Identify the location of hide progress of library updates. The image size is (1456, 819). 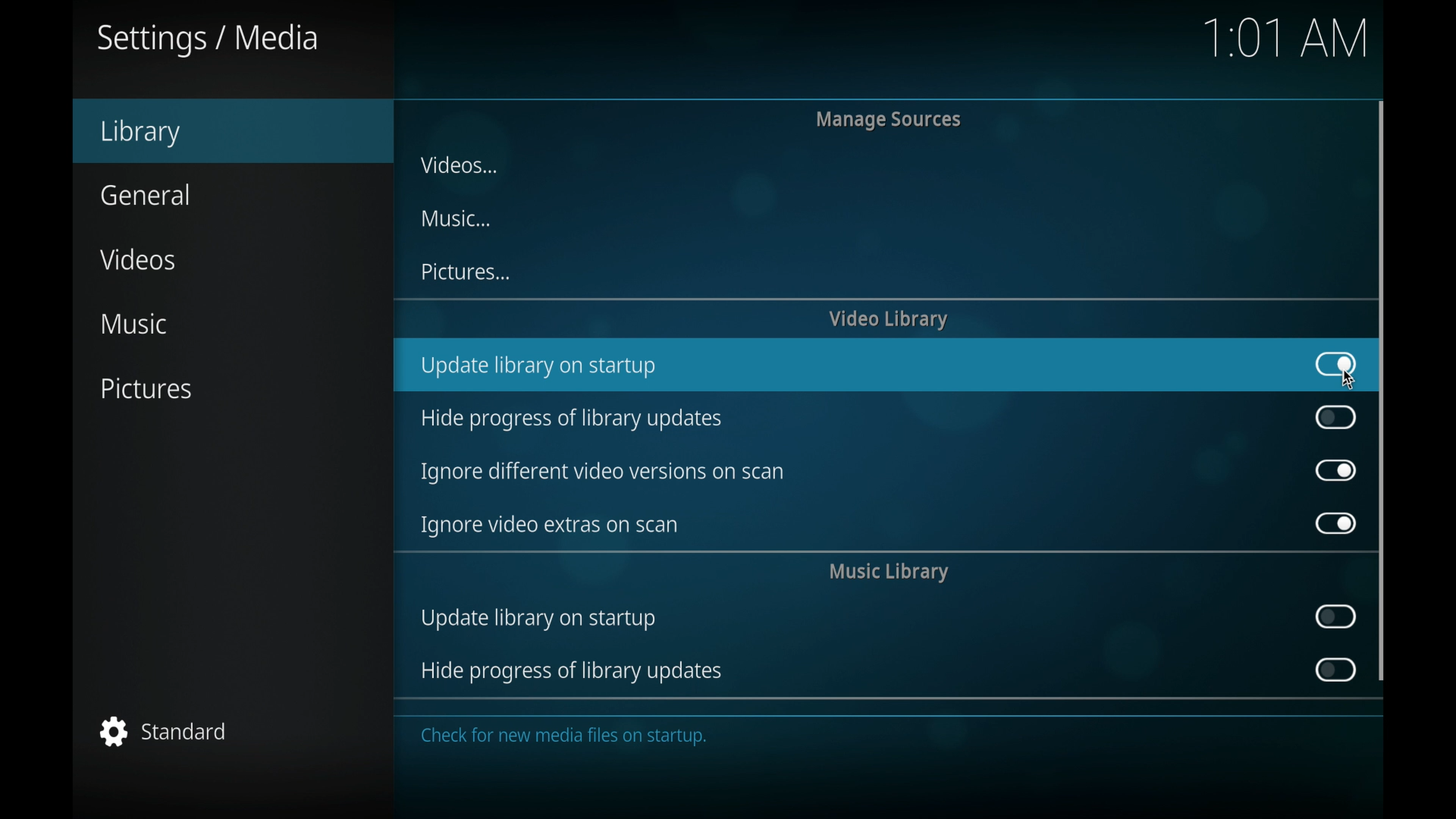
(570, 419).